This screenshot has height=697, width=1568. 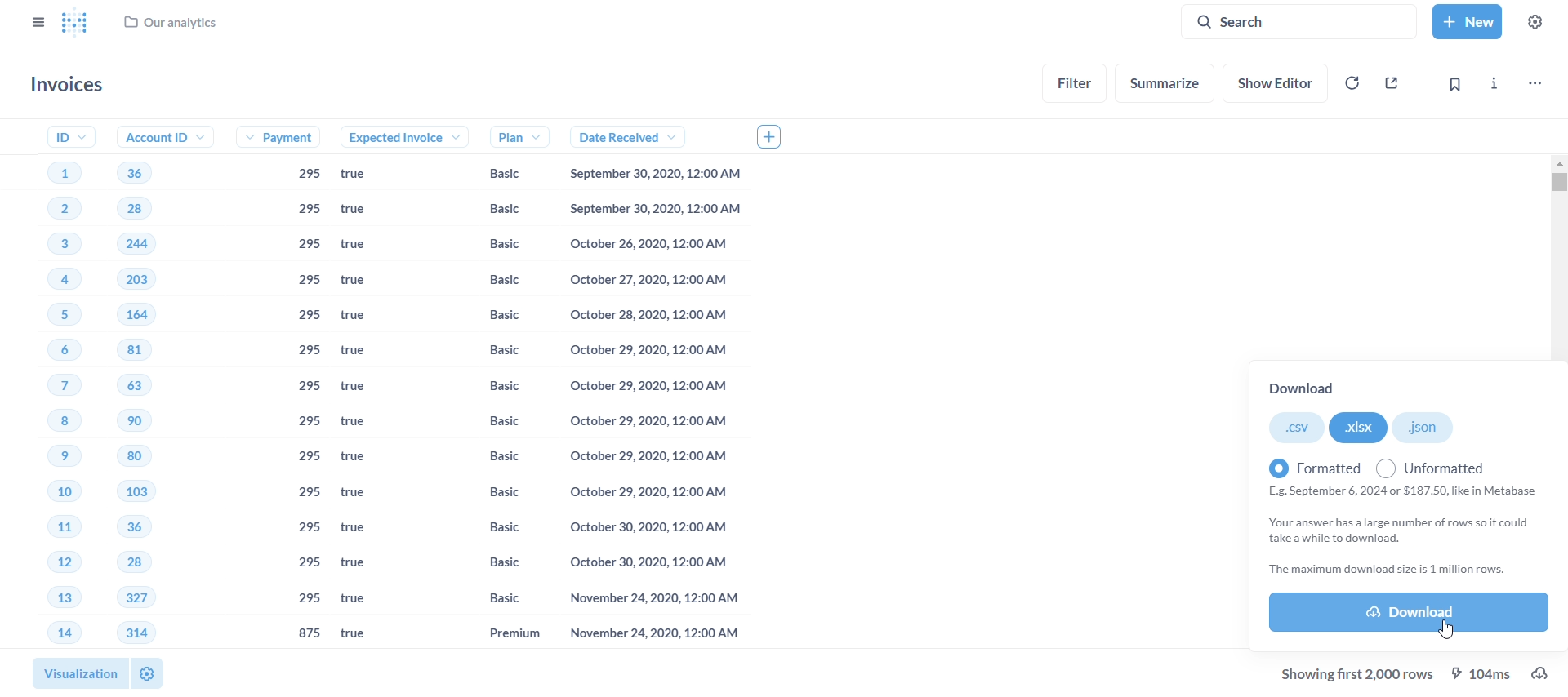 I want to click on 875, so click(x=310, y=633).